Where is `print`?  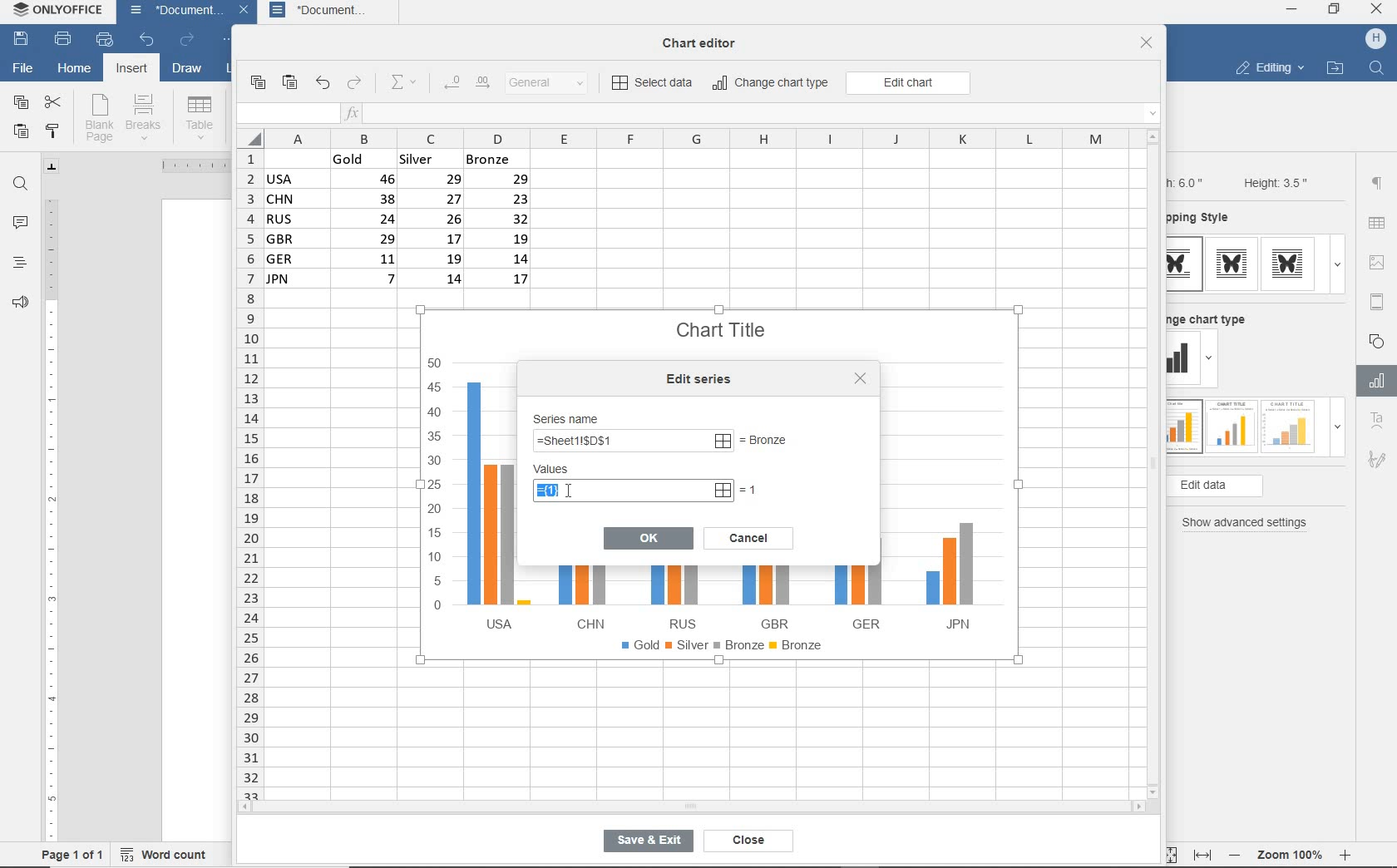
print is located at coordinates (62, 40).